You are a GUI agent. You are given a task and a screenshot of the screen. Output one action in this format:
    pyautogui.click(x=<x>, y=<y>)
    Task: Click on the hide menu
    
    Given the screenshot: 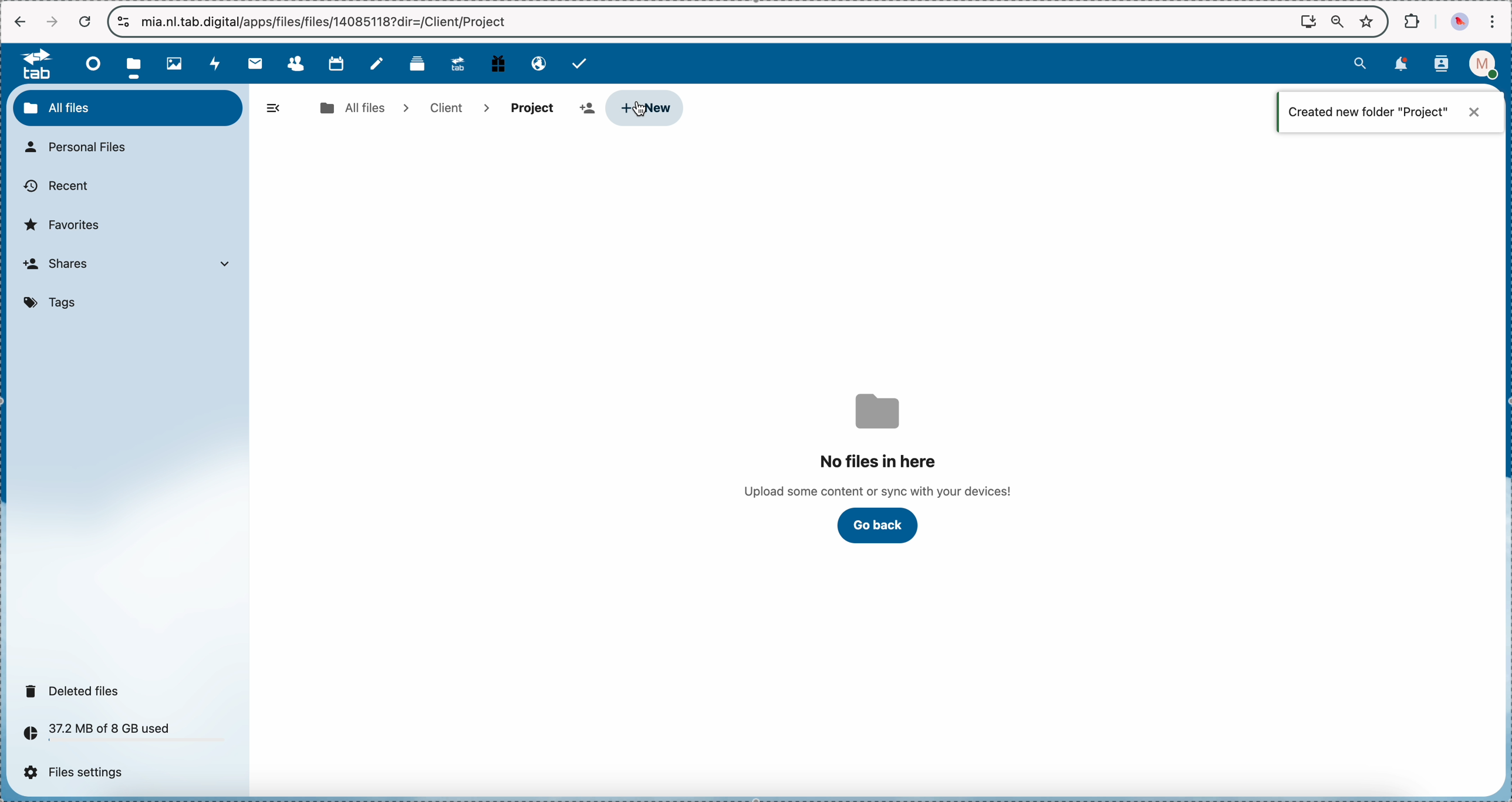 What is the action you would take?
    pyautogui.click(x=274, y=109)
    